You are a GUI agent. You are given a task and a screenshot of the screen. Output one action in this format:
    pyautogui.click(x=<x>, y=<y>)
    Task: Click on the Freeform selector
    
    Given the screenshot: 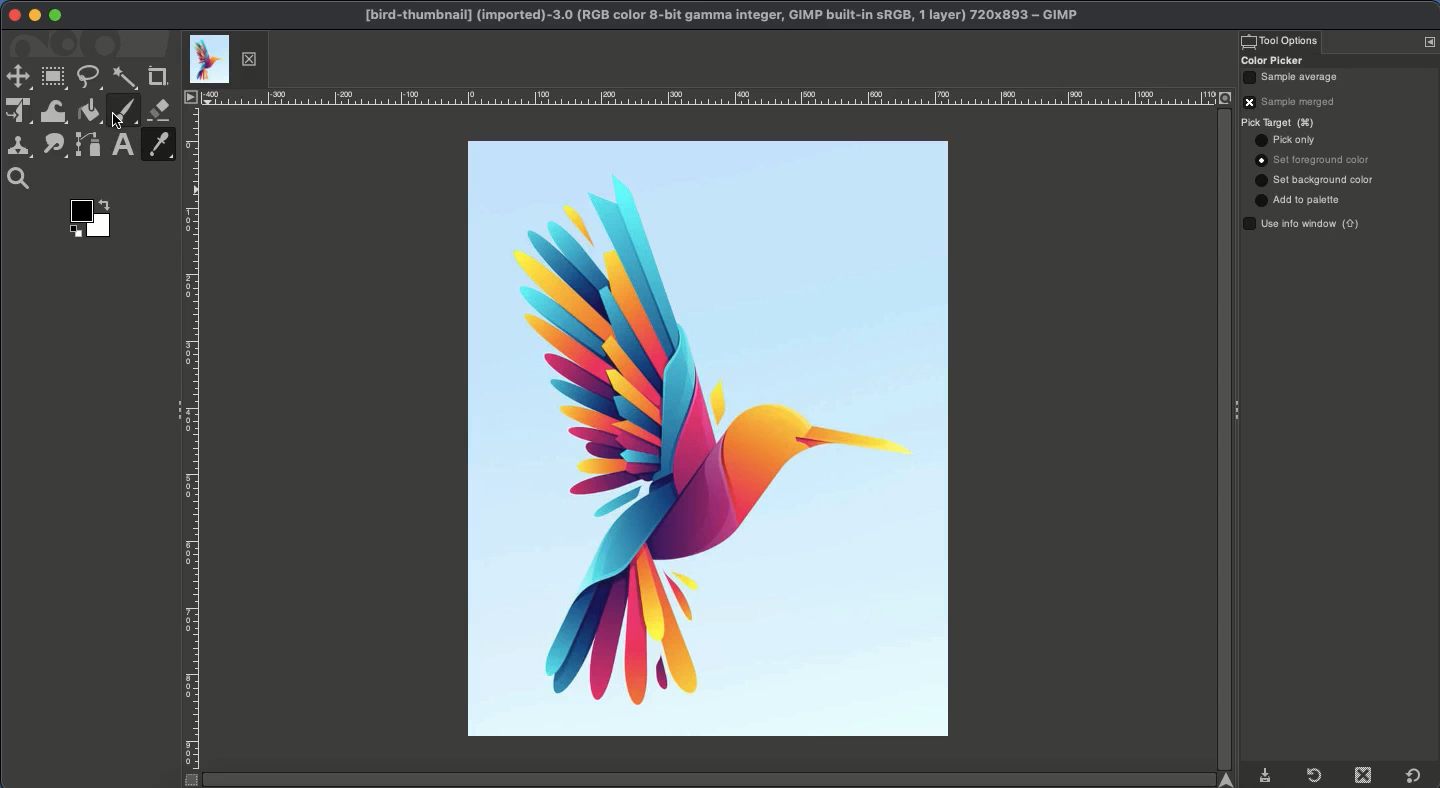 What is the action you would take?
    pyautogui.click(x=90, y=78)
    